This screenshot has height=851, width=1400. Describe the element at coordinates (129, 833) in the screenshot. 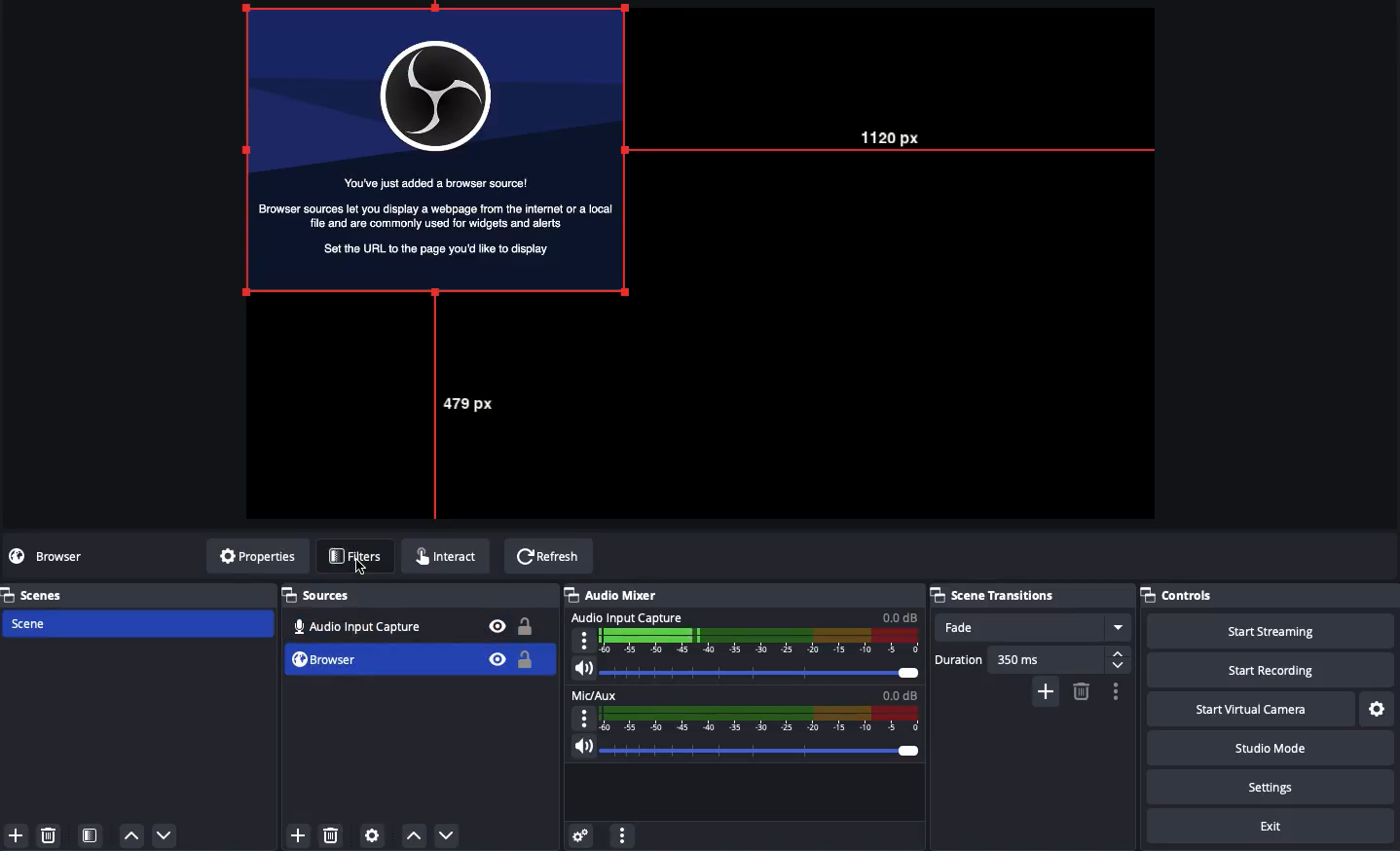

I see `Up` at that location.